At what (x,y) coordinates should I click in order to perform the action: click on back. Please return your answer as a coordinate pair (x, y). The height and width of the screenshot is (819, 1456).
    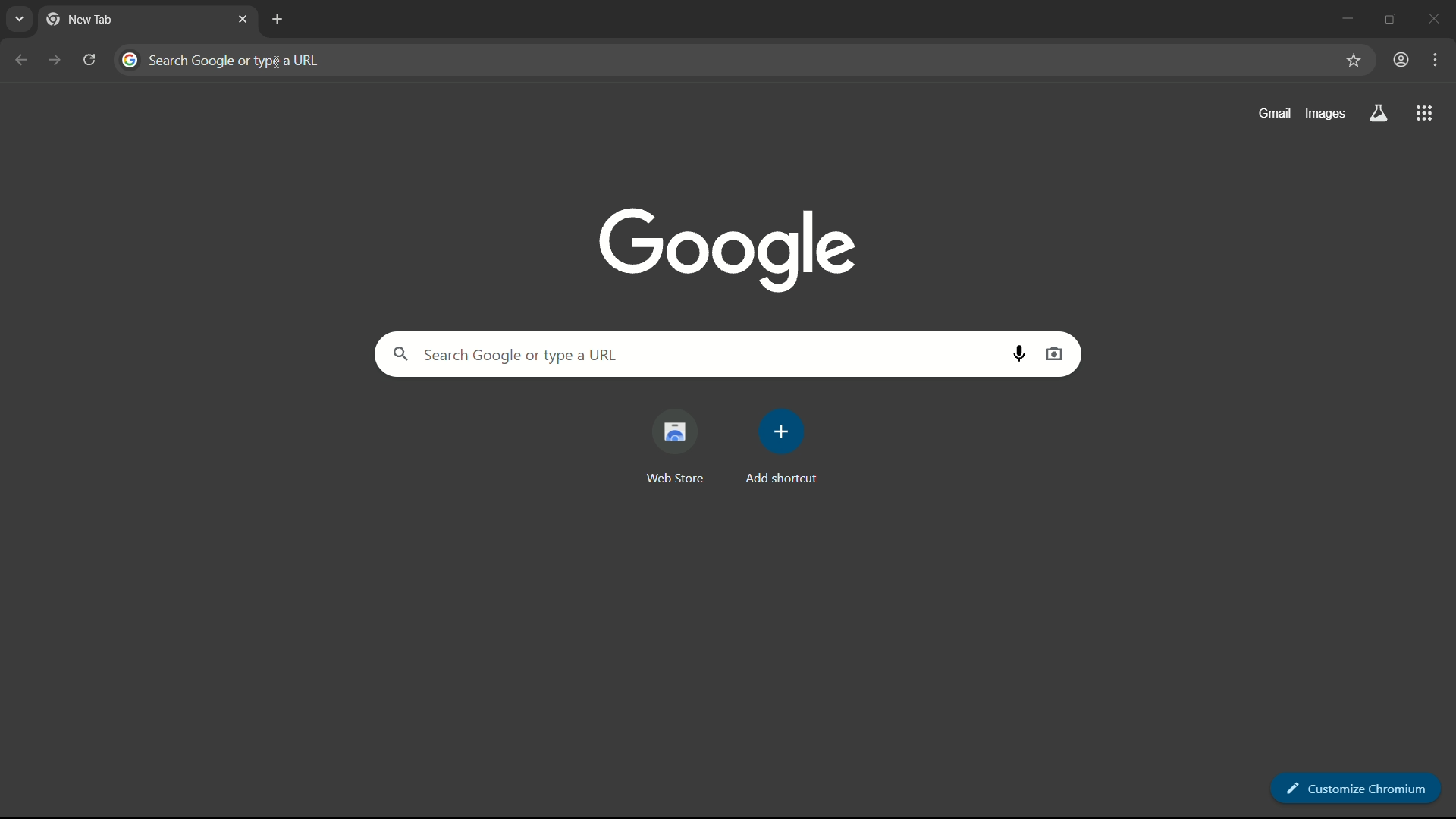
    Looking at the image, I should click on (22, 60).